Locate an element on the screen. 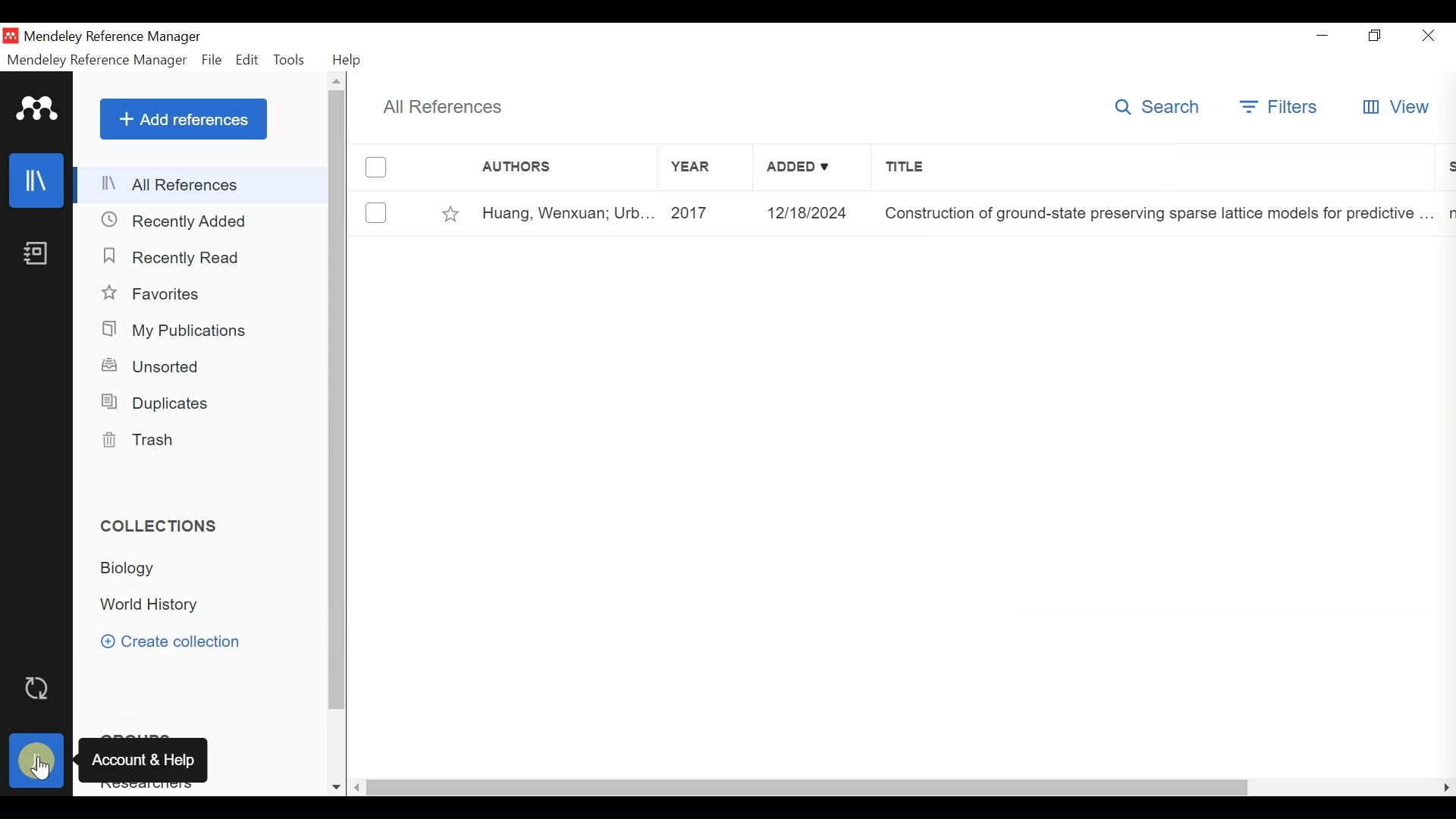 This screenshot has width=1456, height=819. File is located at coordinates (212, 60).